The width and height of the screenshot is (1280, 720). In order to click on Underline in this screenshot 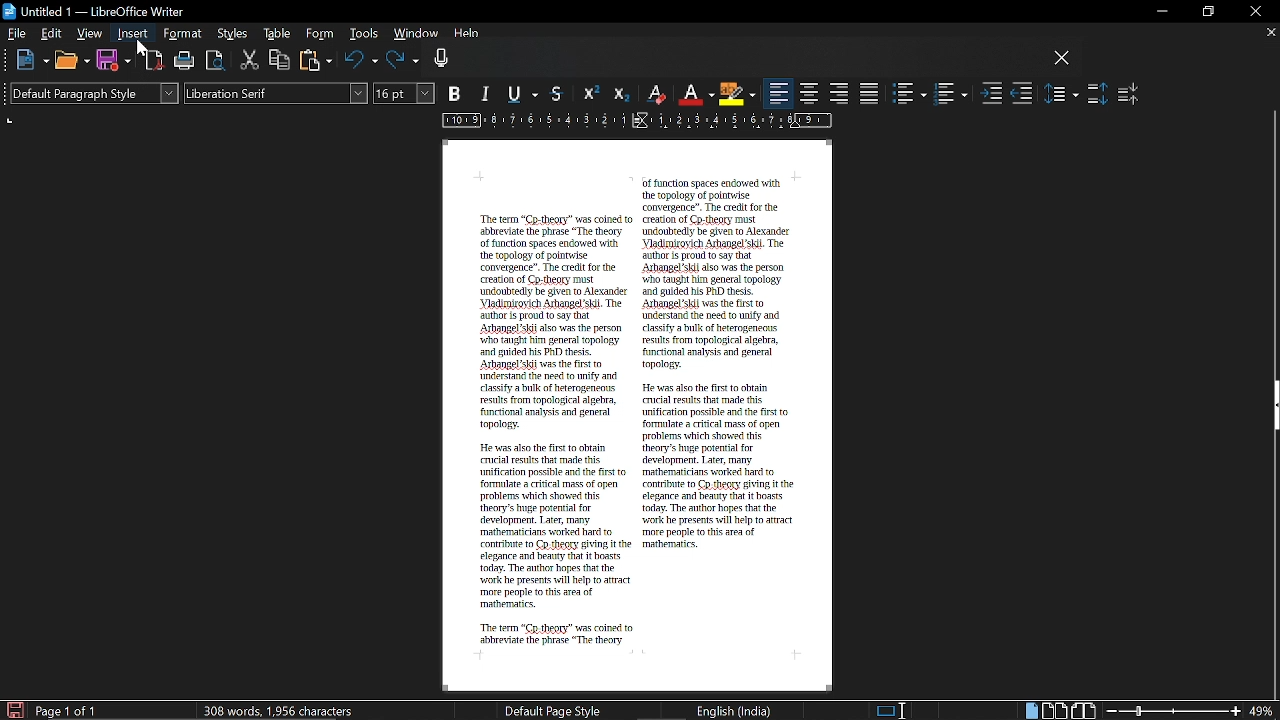, I will do `click(526, 95)`.